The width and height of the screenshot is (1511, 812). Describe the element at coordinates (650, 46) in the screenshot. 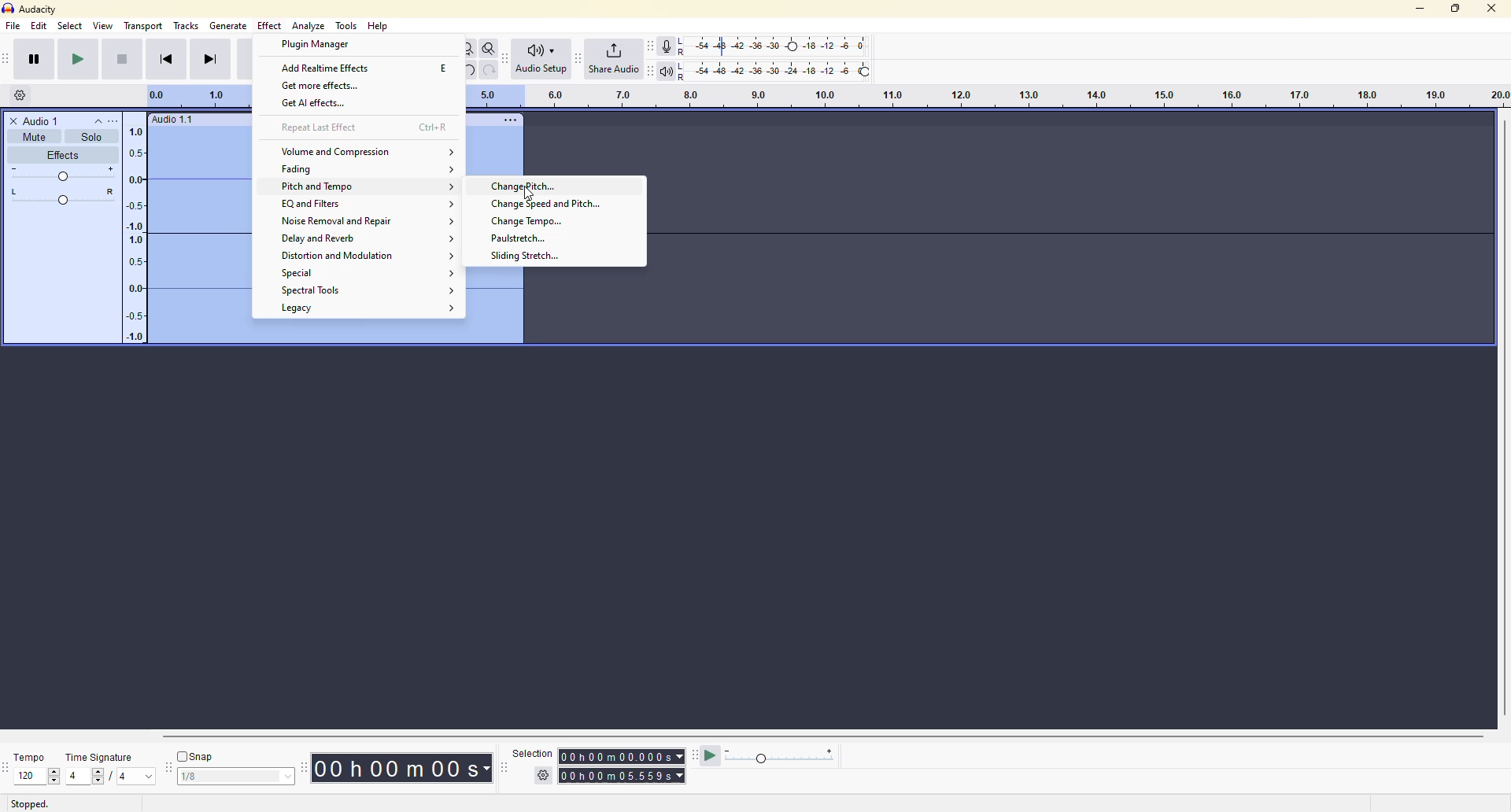

I see `recording meter toolbar` at that location.